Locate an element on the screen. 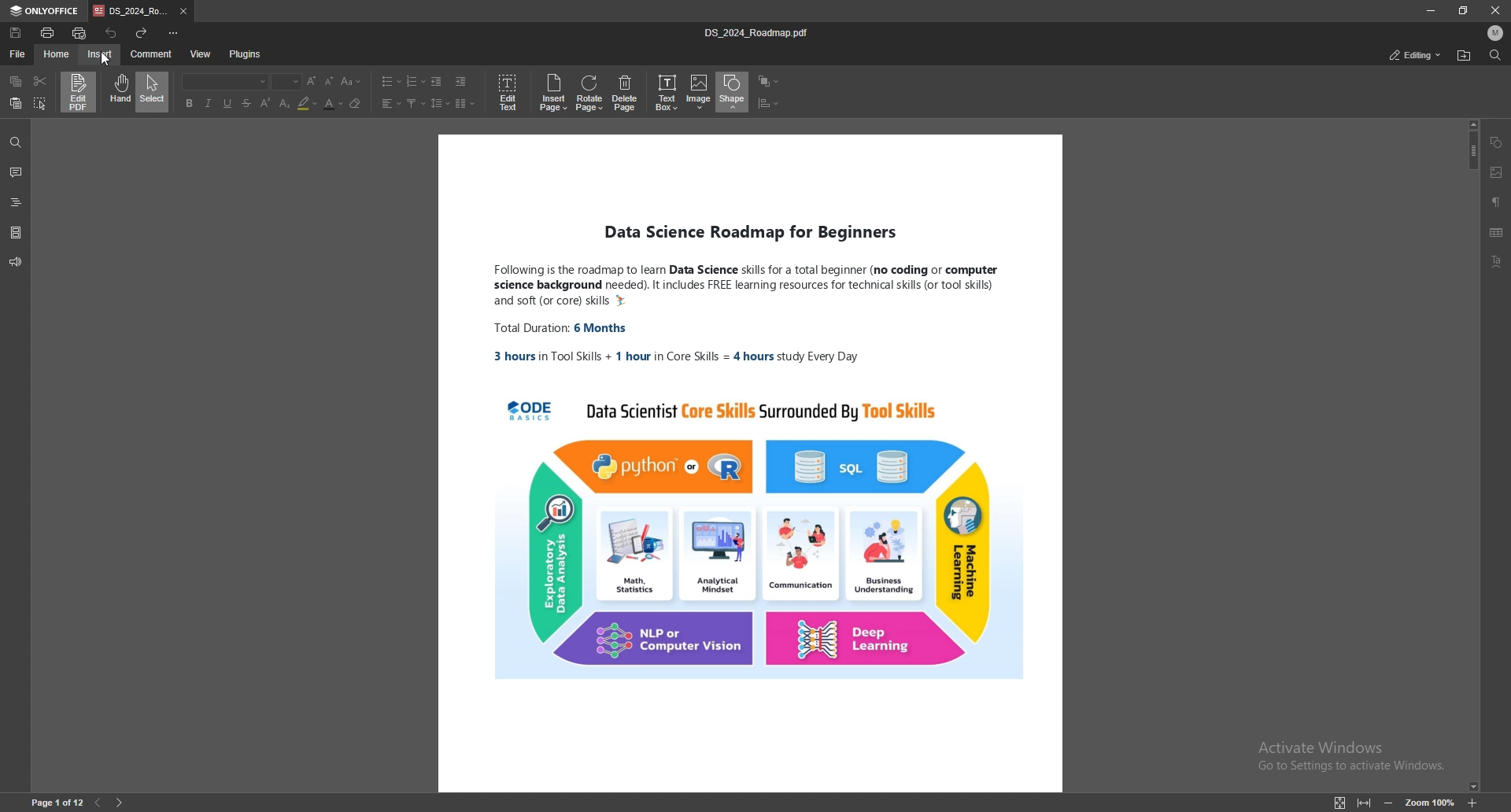 The height and width of the screenshot is (812, 1511). Activate Windows
Go to Settings to activate Windows. is located at coordinates (1343, 757).